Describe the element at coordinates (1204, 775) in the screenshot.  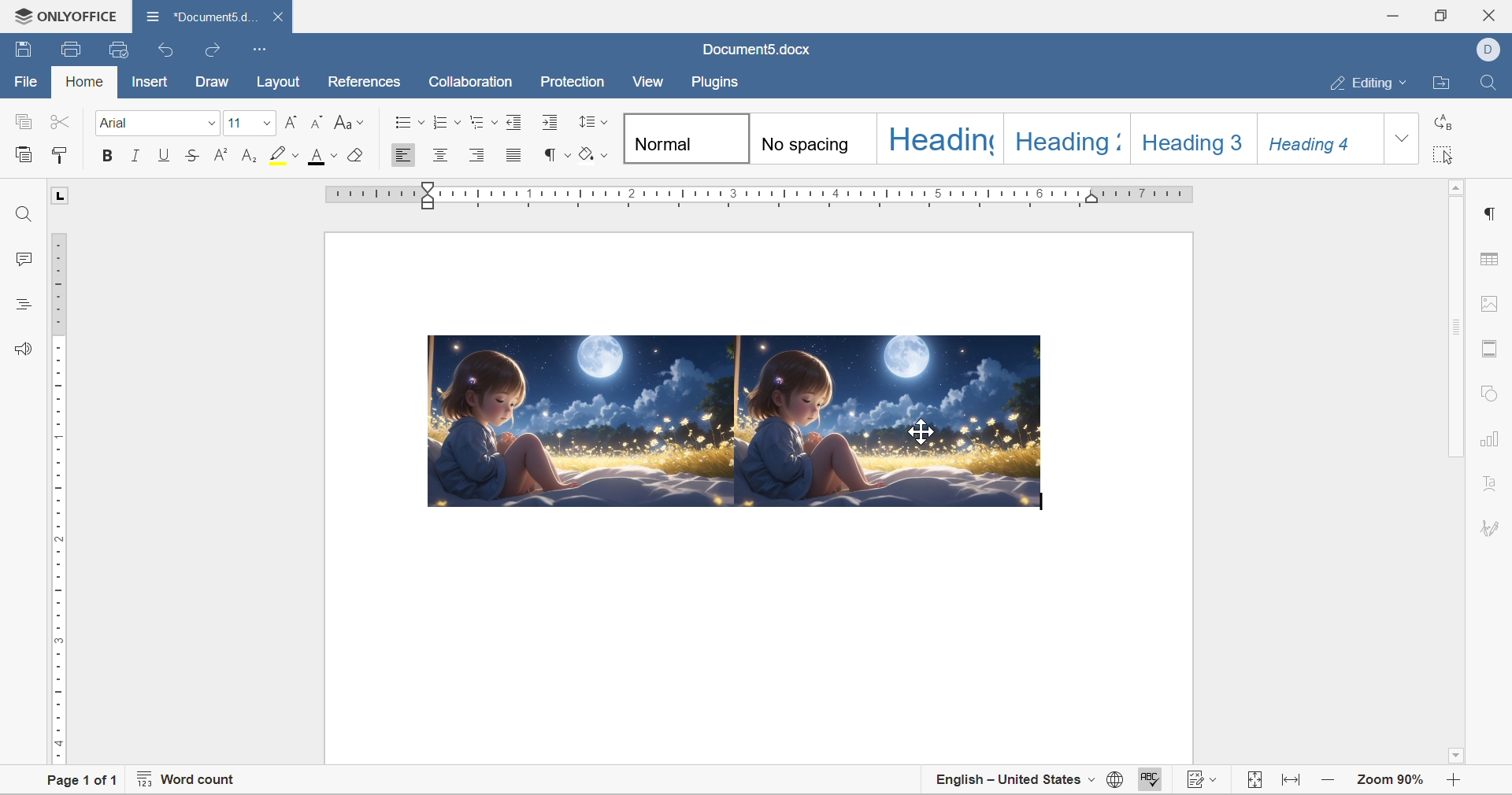
I see `track changes` at that location.